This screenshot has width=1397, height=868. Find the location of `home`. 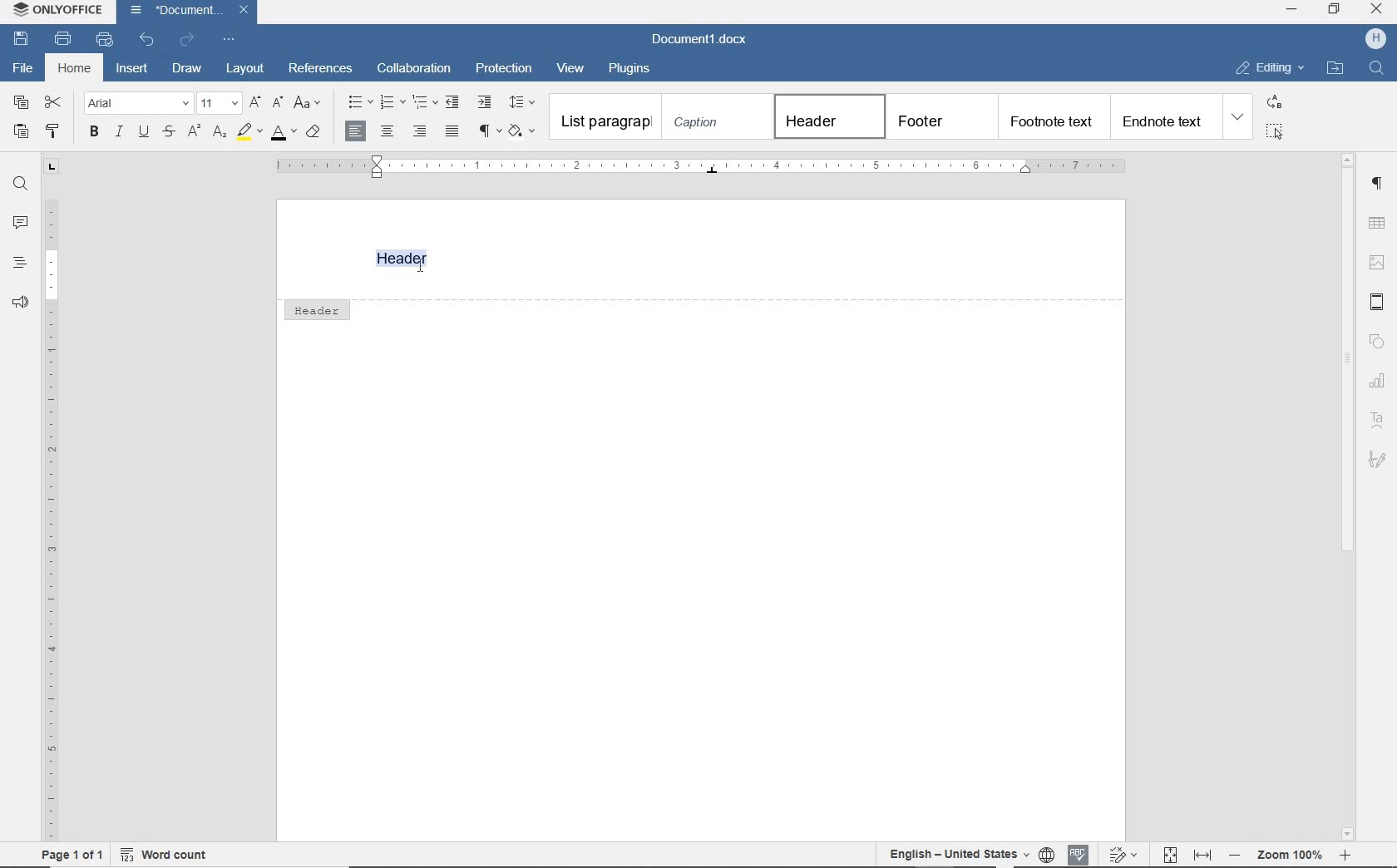

home is located at coordinates (74, 69).